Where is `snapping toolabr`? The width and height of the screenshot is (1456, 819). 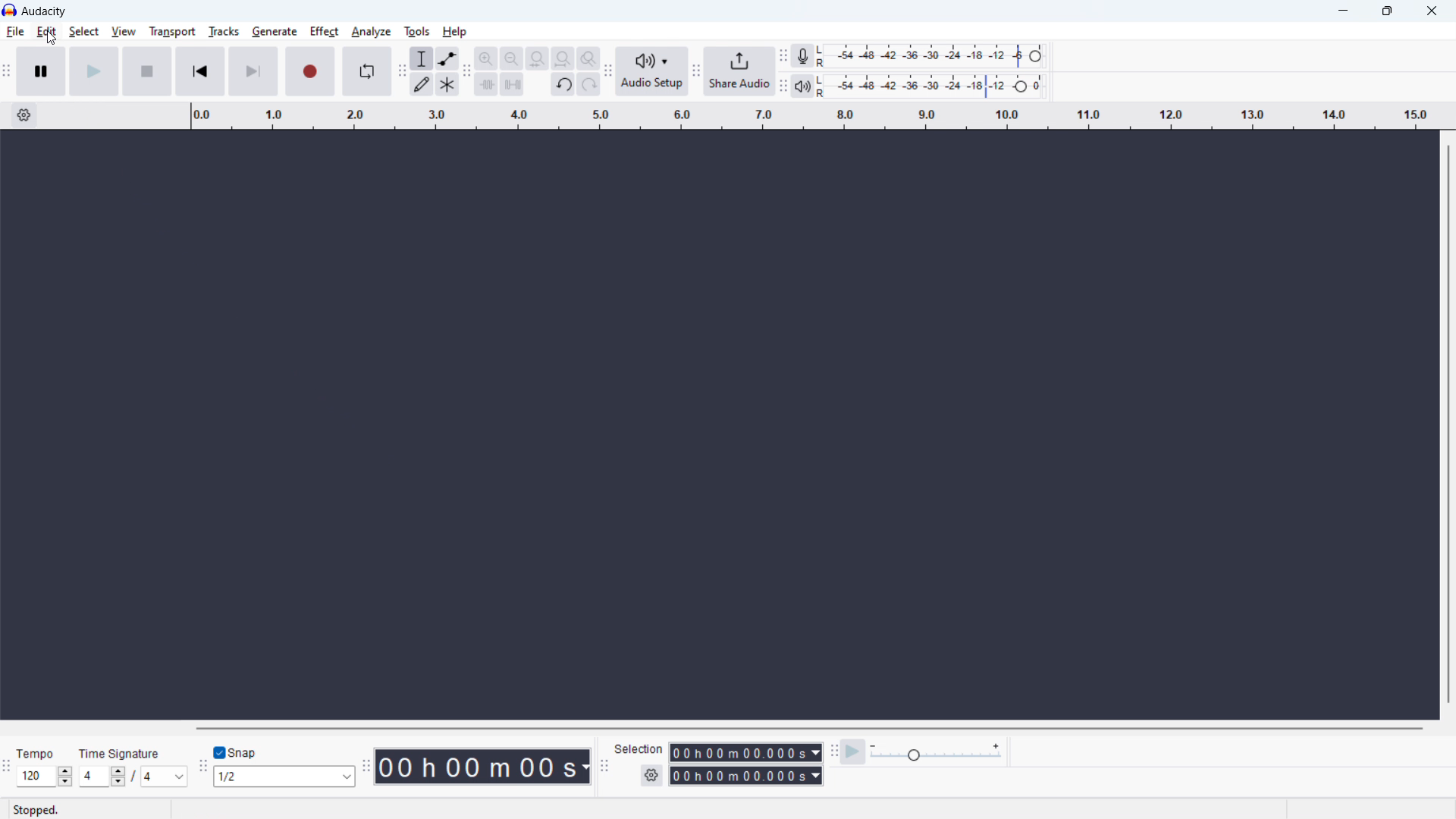 snapping toolabr is located at coordinates (202, 766).